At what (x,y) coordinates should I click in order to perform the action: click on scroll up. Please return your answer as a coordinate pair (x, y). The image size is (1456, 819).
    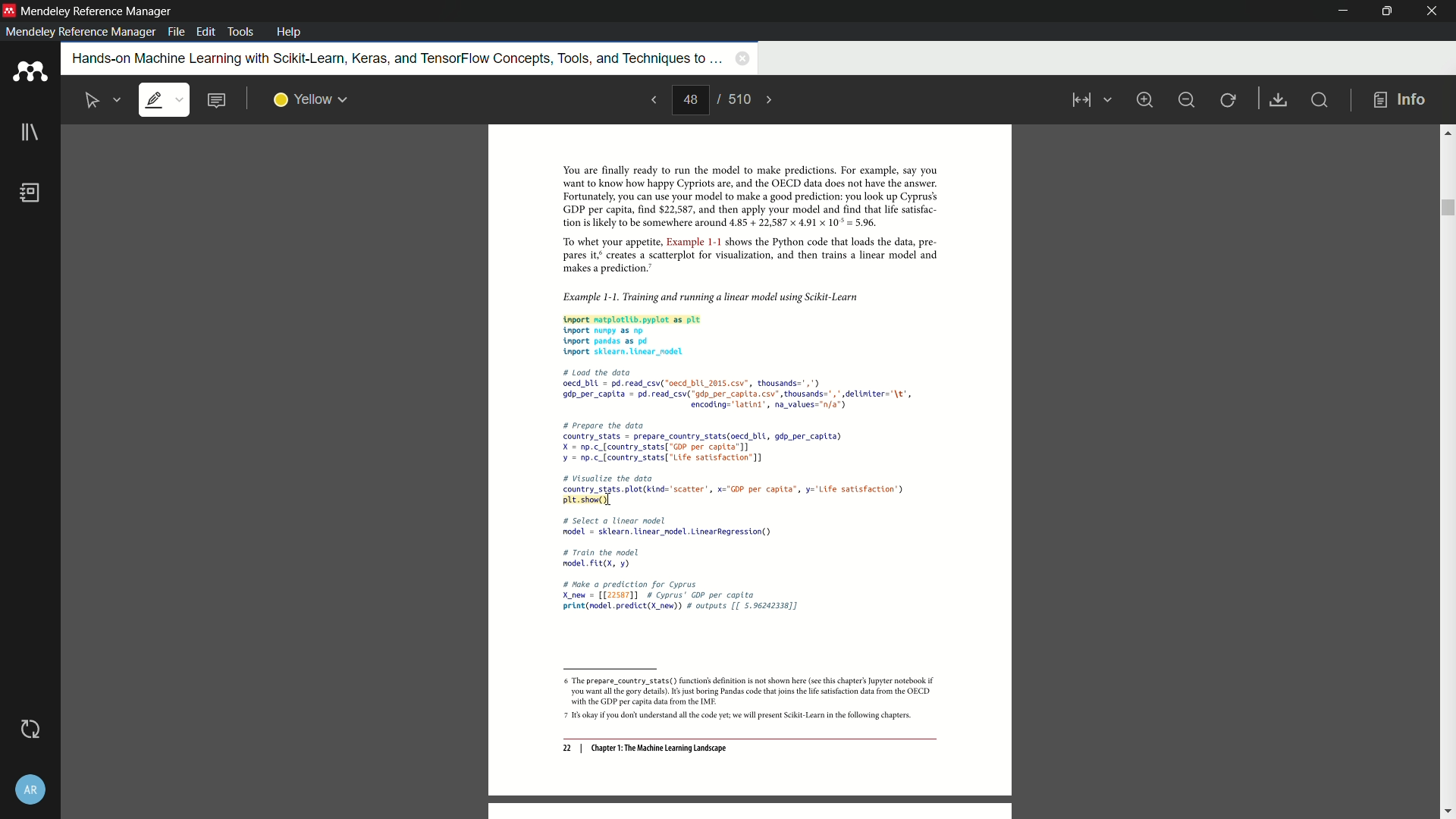
    Looking at the image, I should click on (1447, 132).